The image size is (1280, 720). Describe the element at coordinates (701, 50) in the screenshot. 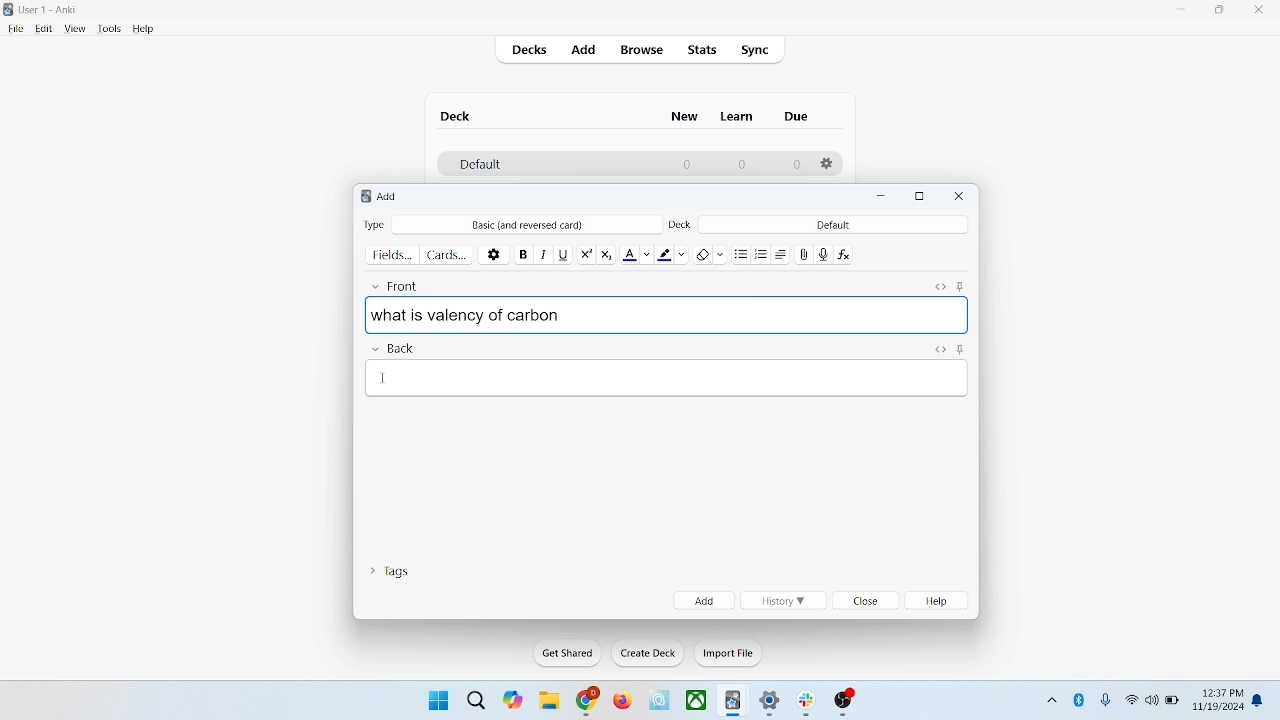

I see `stats` at that location.